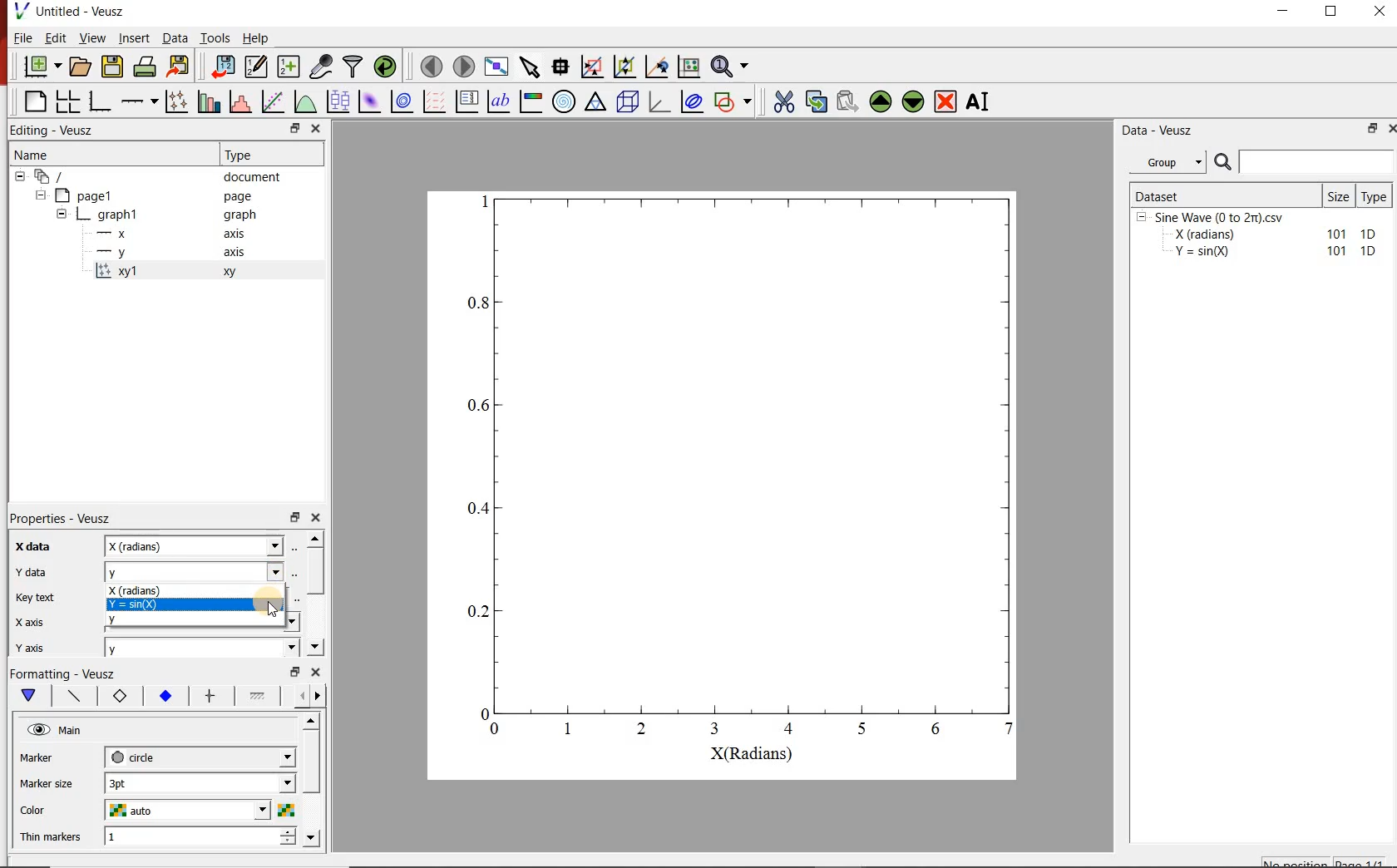  Describe the element at coordinates (139, 101) in the screenshot. I see `add an axis` at that location.